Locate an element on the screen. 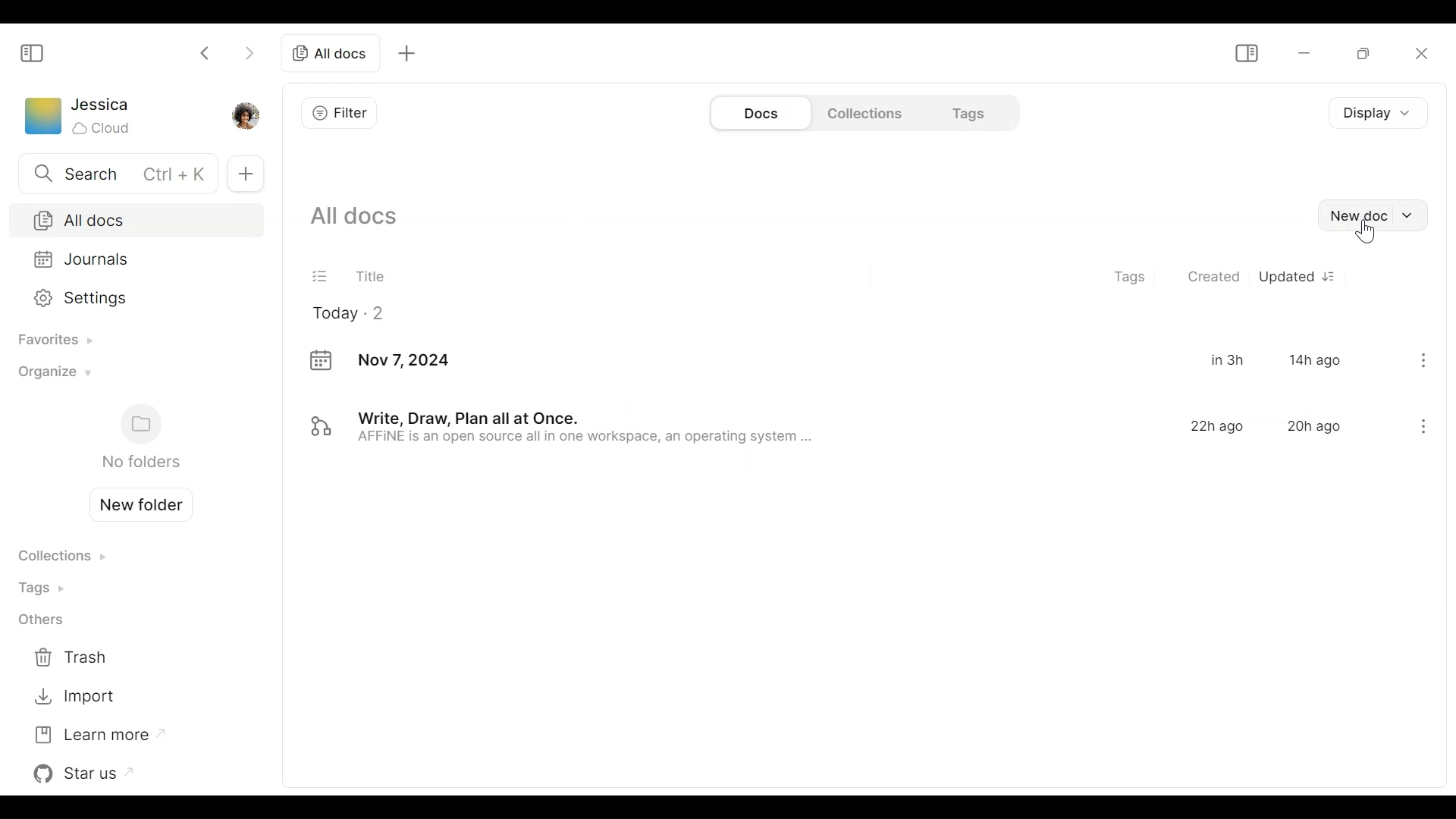 Image resolution: width=1456 pixels, height=819 pixels. Show/Hide Sidebar is located at coordinates (33, 52).